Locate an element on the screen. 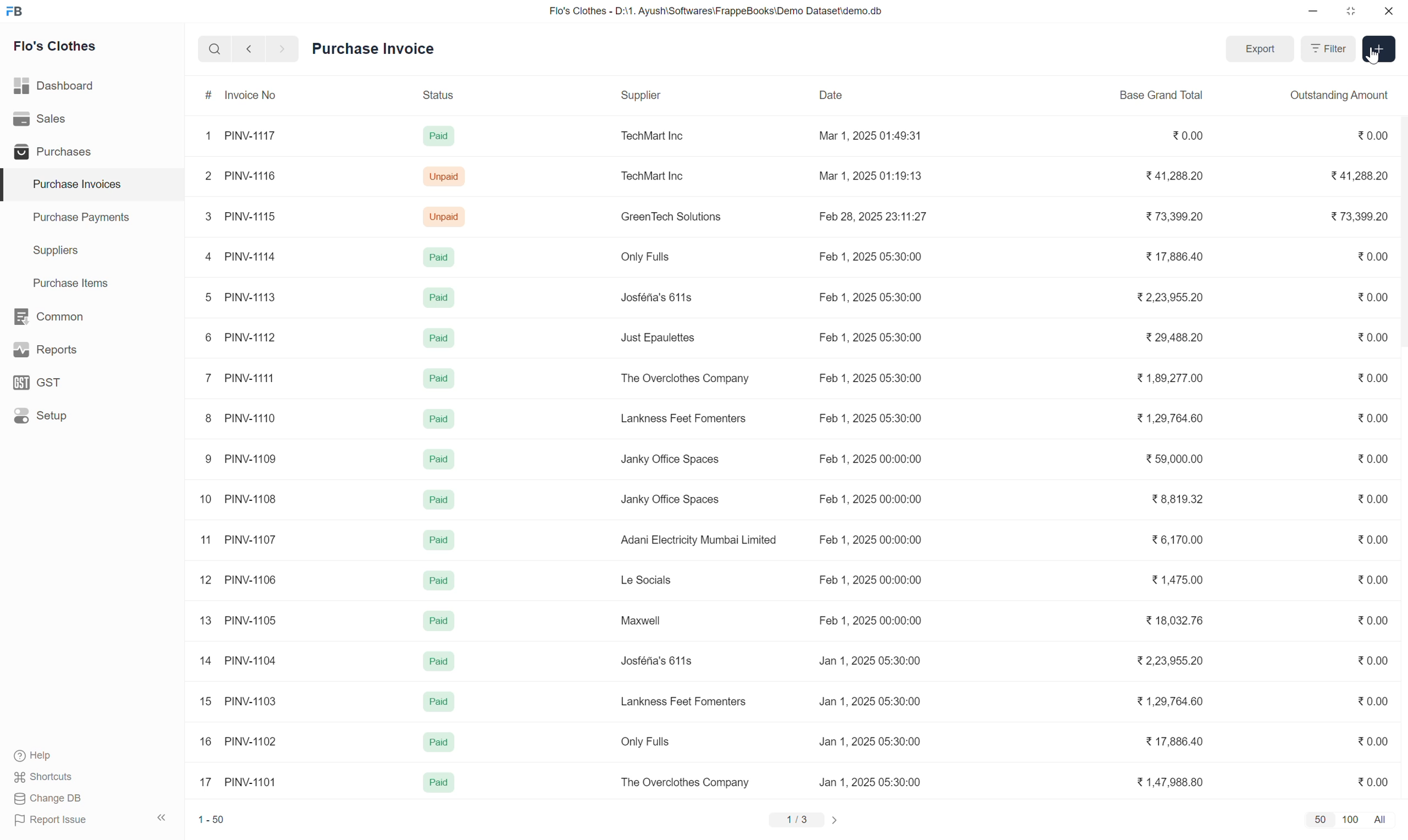 The height and width of the screenshot is (840, 1408). Jan 1, 2025 05:30:00 is located at coordinates (870, 660).